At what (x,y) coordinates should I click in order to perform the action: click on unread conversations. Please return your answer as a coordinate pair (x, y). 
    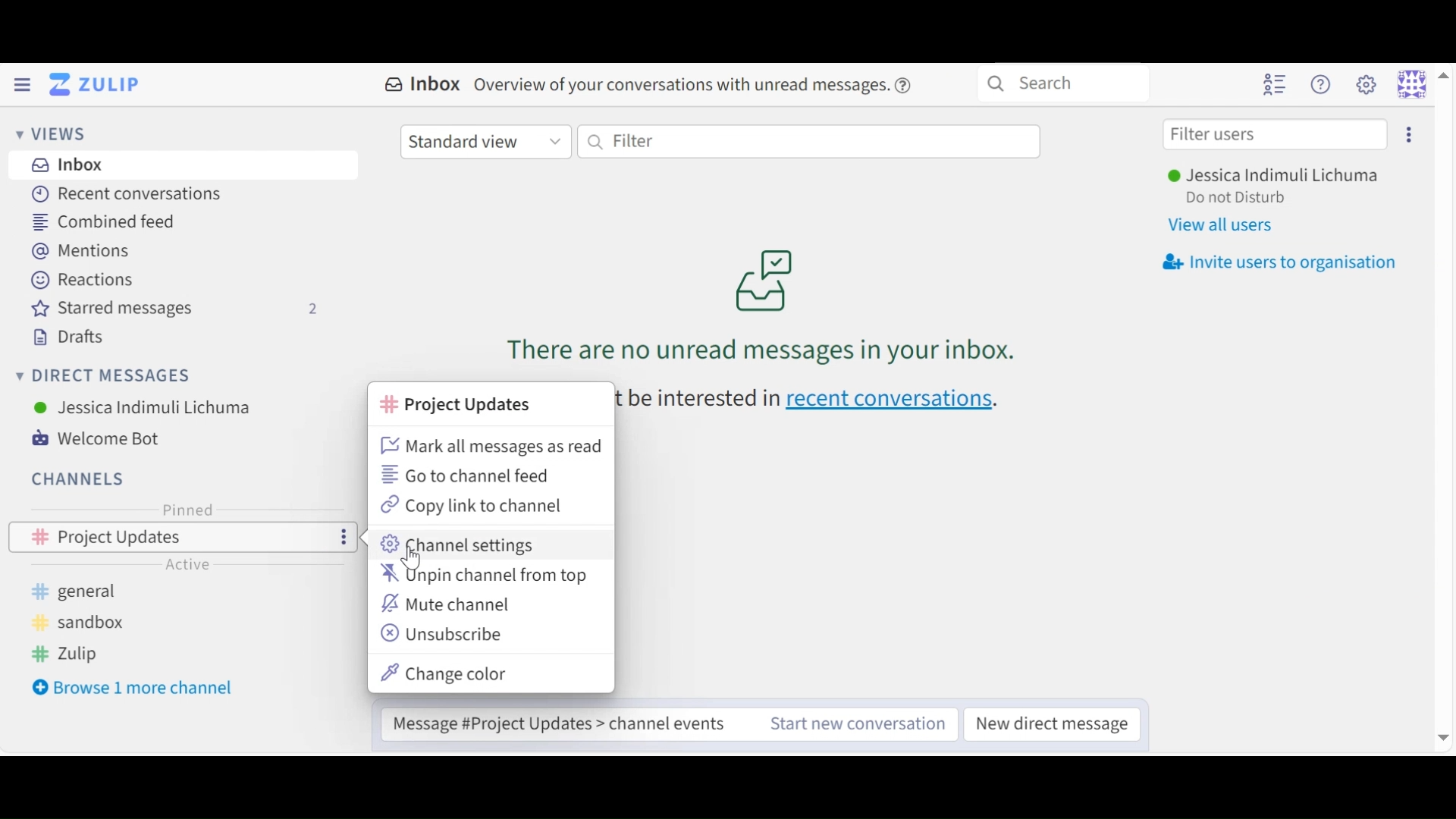
    Looking at the image, I should click on (761, 306).